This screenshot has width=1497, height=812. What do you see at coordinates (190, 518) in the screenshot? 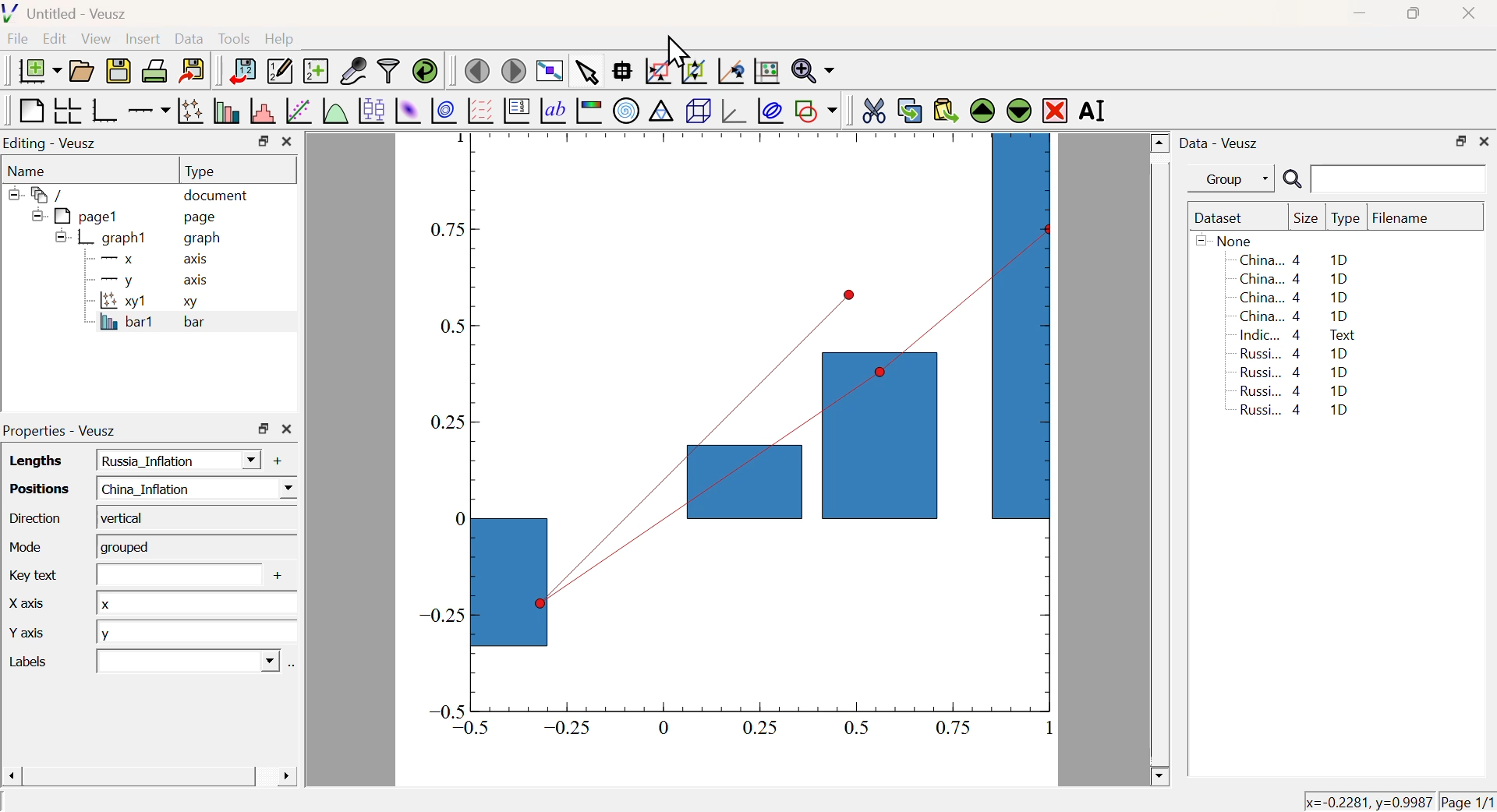
I see `Vertical` at bounding box center [190, 518].